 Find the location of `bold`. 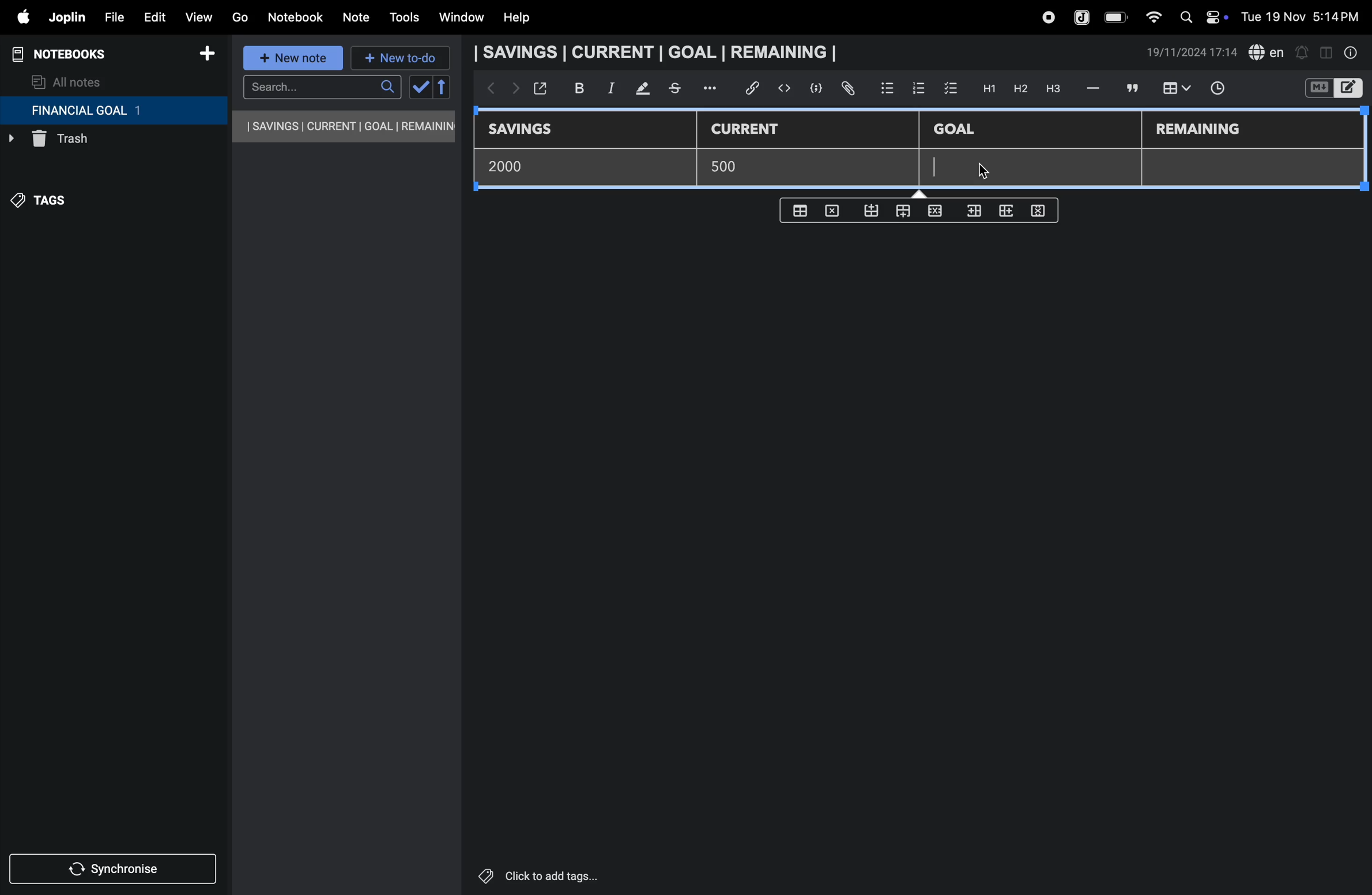

bold is located at coordinates (573, 88).